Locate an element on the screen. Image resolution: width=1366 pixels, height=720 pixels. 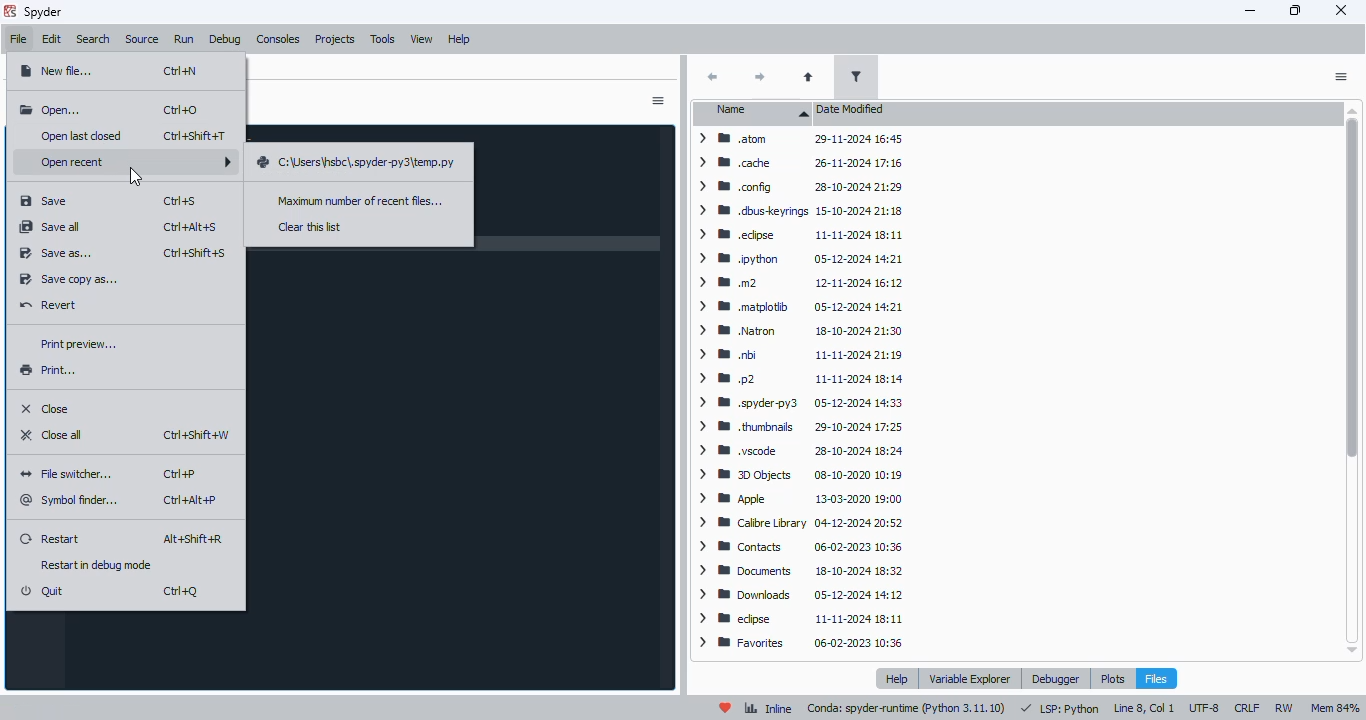
> WM Calibre Library 04-12-2024 20:52. is located at coordinates (800, 524).